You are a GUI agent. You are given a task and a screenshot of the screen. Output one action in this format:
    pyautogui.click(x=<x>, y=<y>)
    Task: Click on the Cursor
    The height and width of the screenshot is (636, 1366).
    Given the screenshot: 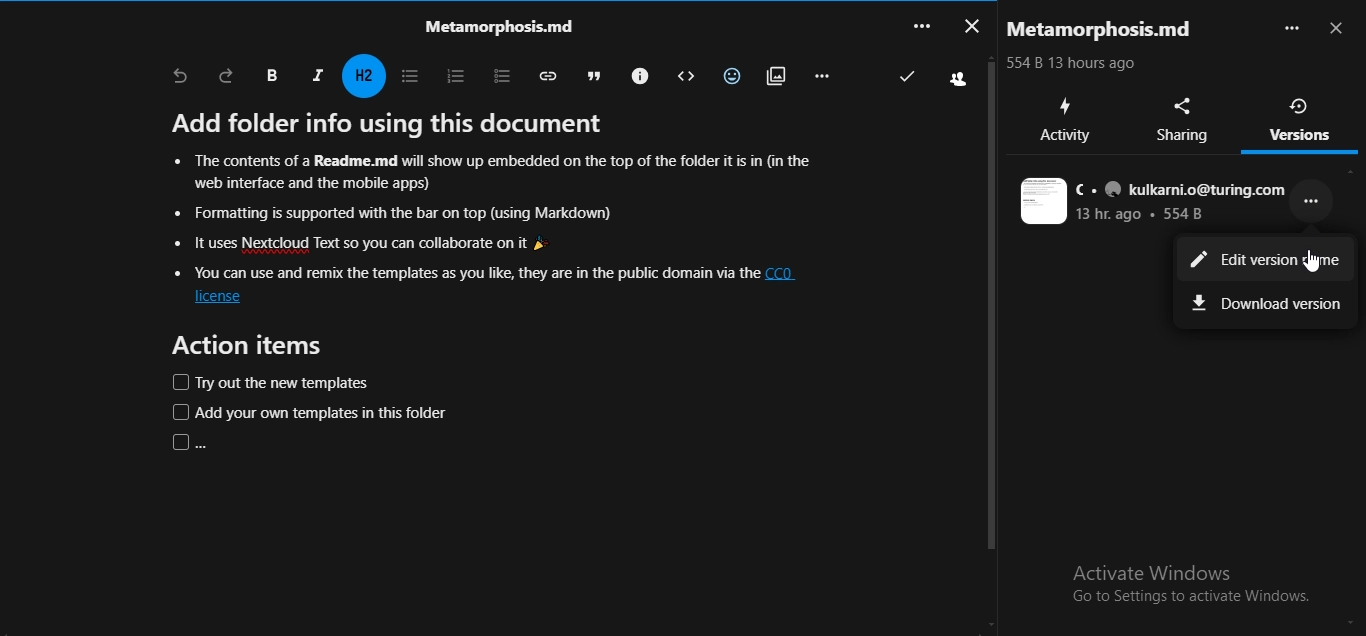 What is the action you would take?
    pyautogui.click(x=1309, y=262)
    